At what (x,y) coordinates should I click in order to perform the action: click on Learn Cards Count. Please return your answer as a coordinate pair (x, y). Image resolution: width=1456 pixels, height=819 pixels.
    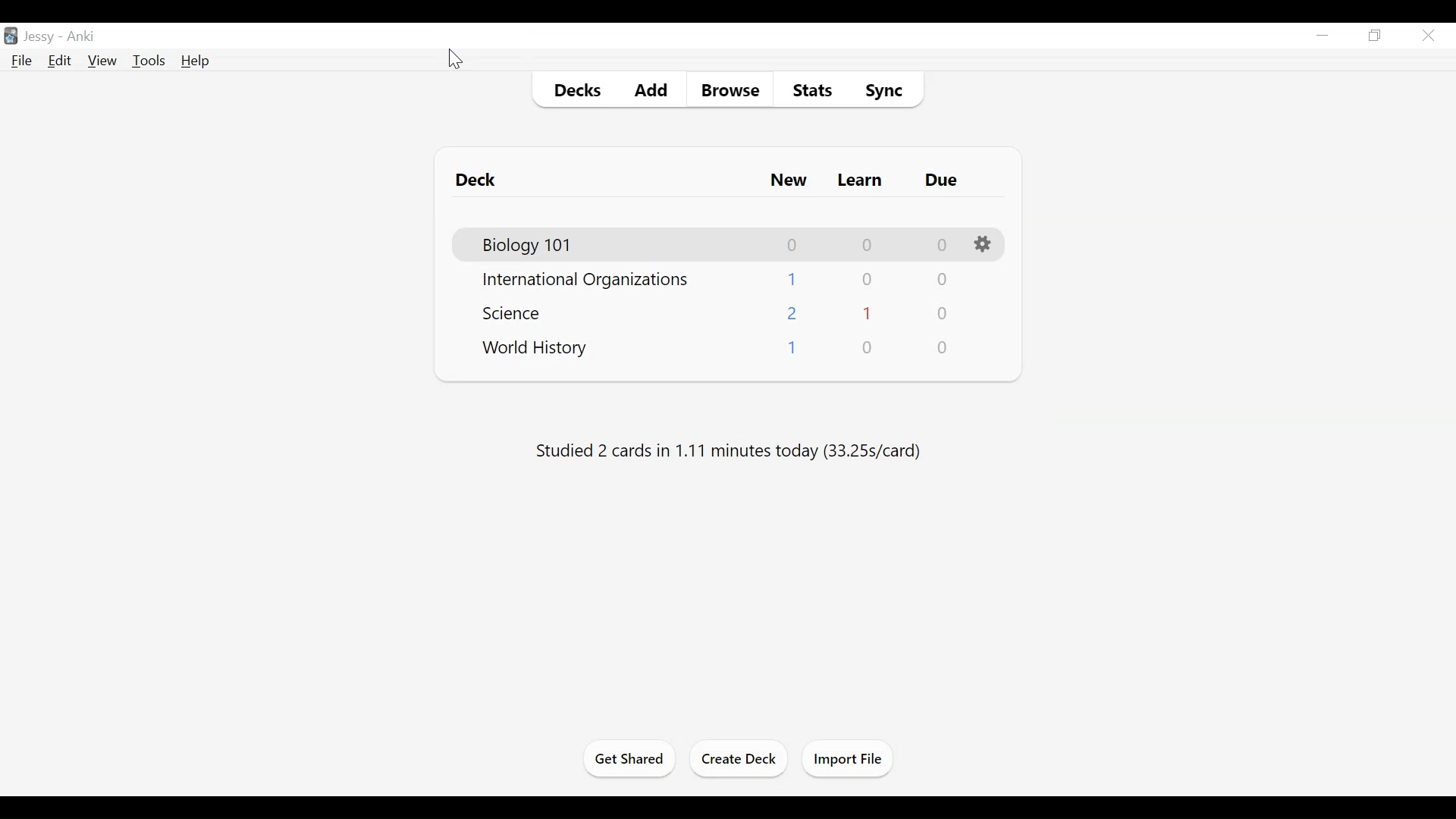
    Looking at the image, I should click on (870, 279).